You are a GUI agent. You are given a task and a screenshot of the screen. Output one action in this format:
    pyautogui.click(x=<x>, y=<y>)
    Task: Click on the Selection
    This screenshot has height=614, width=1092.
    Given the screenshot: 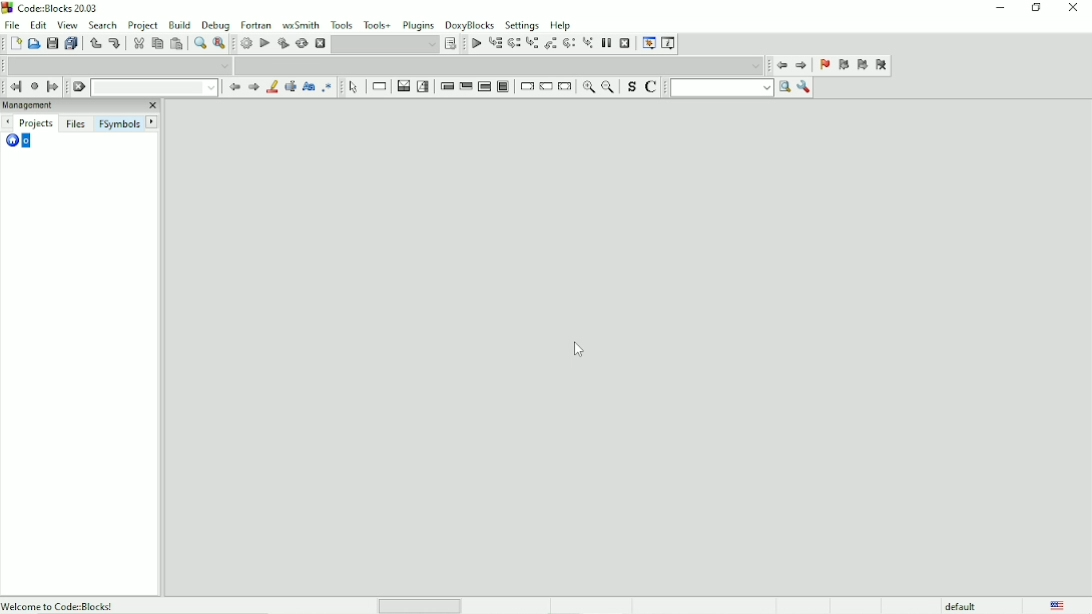 What is the action you would take?
    pyautogui.click(x=424, y=86)
    